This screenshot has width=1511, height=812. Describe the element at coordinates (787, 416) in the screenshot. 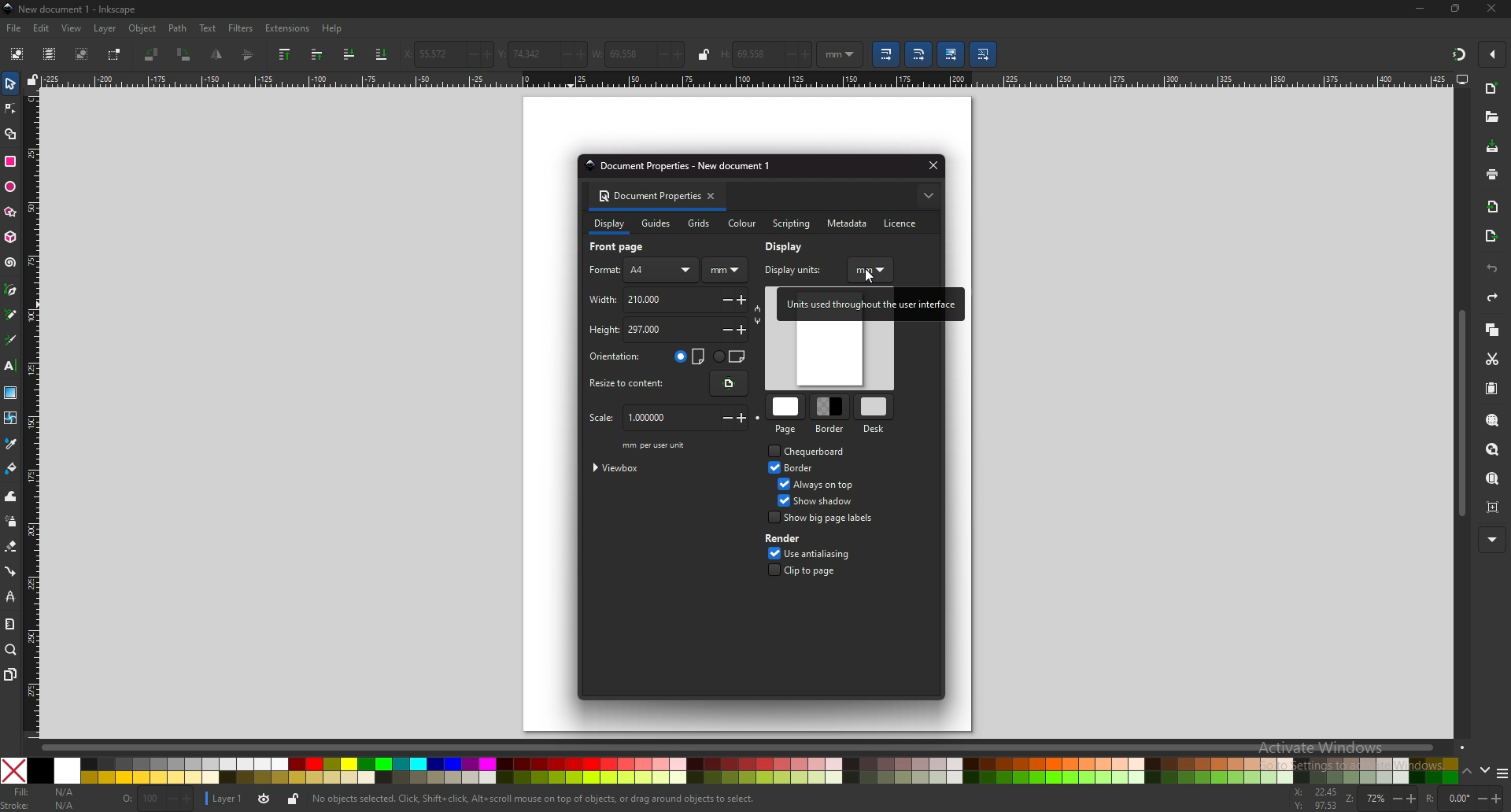

I see `page` at that location.